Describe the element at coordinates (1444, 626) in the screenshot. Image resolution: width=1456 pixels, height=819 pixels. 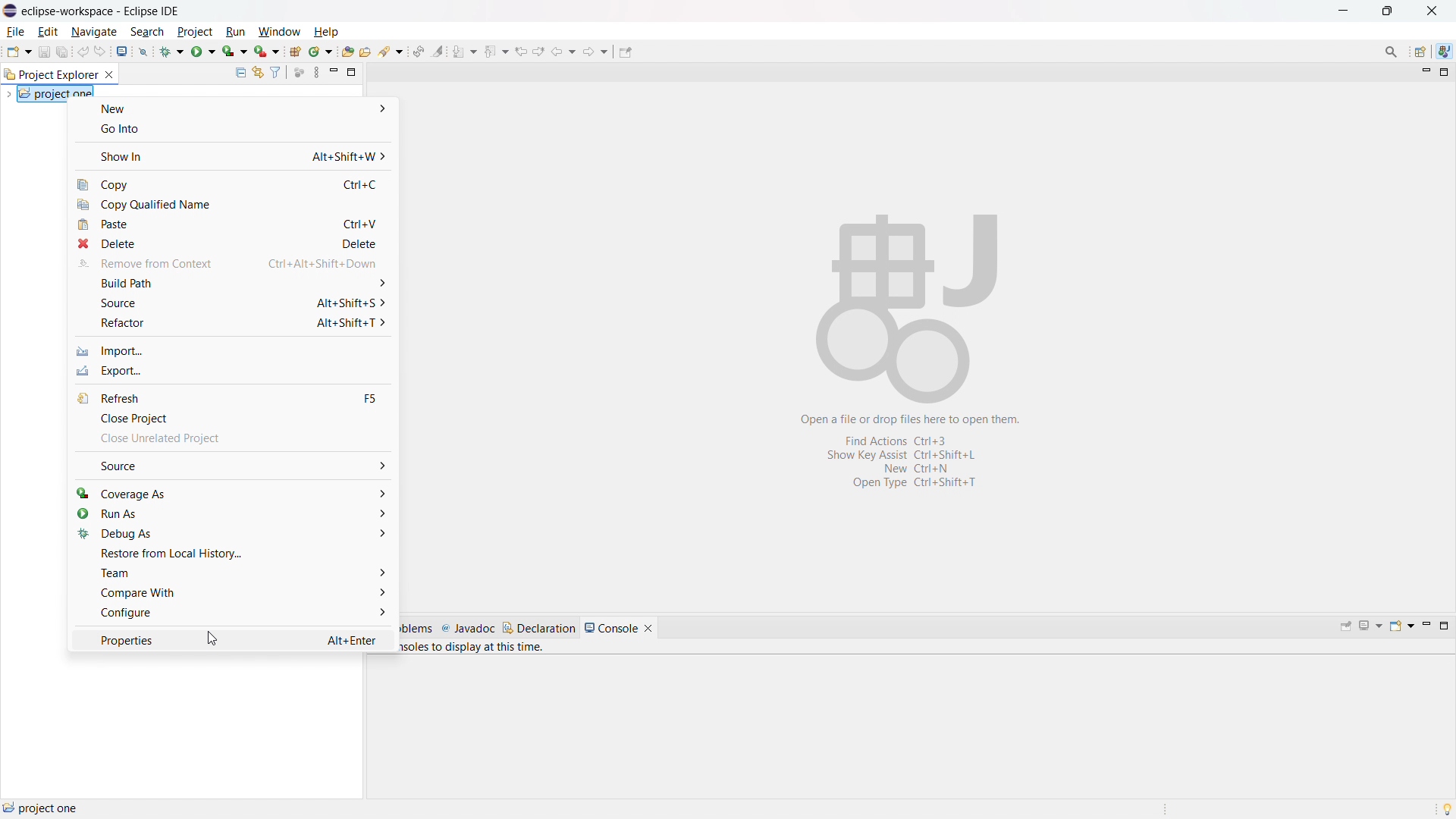
I see `maximize` at that location.